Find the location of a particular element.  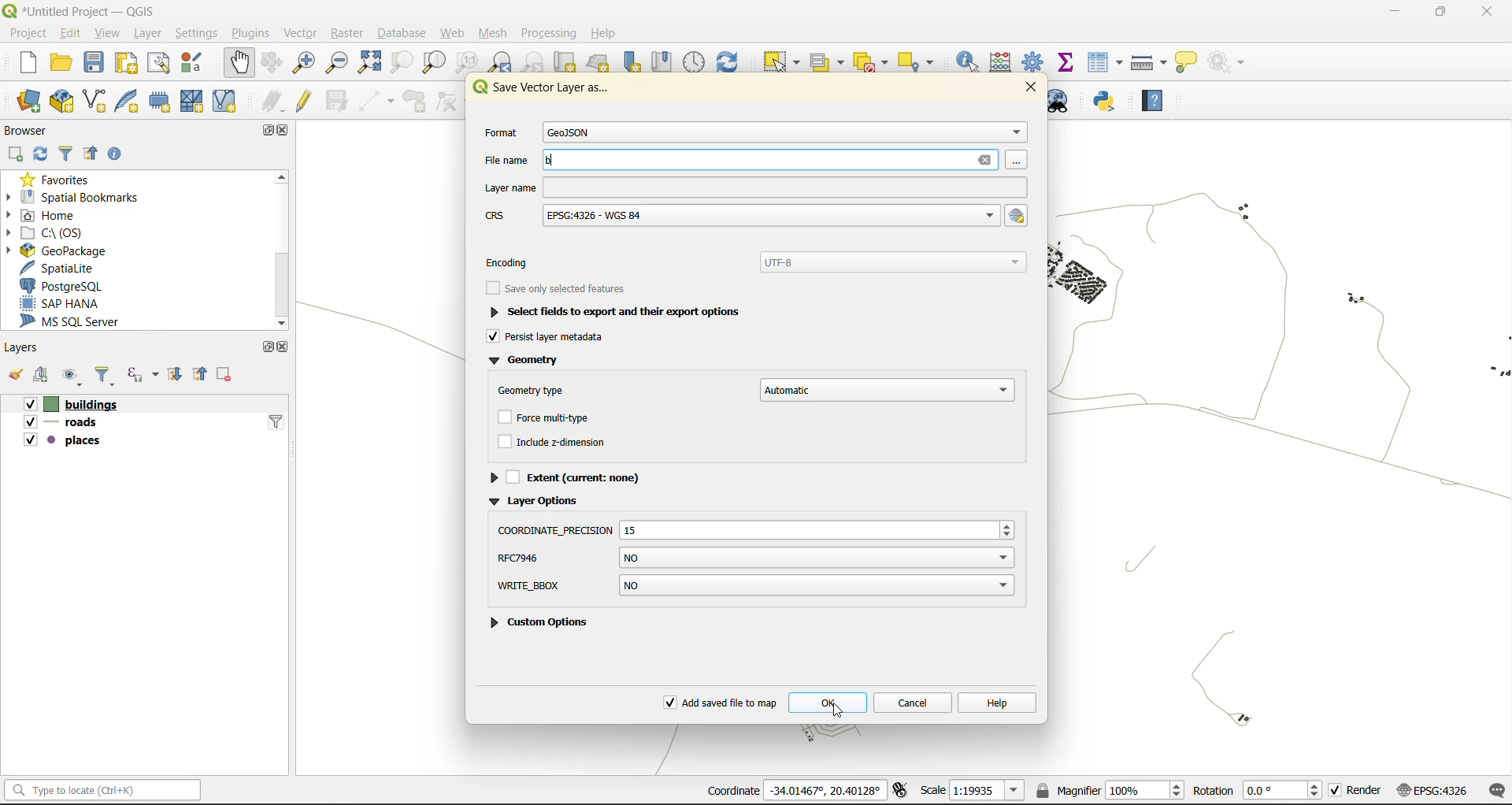

add is located at coordinates (18, 152).